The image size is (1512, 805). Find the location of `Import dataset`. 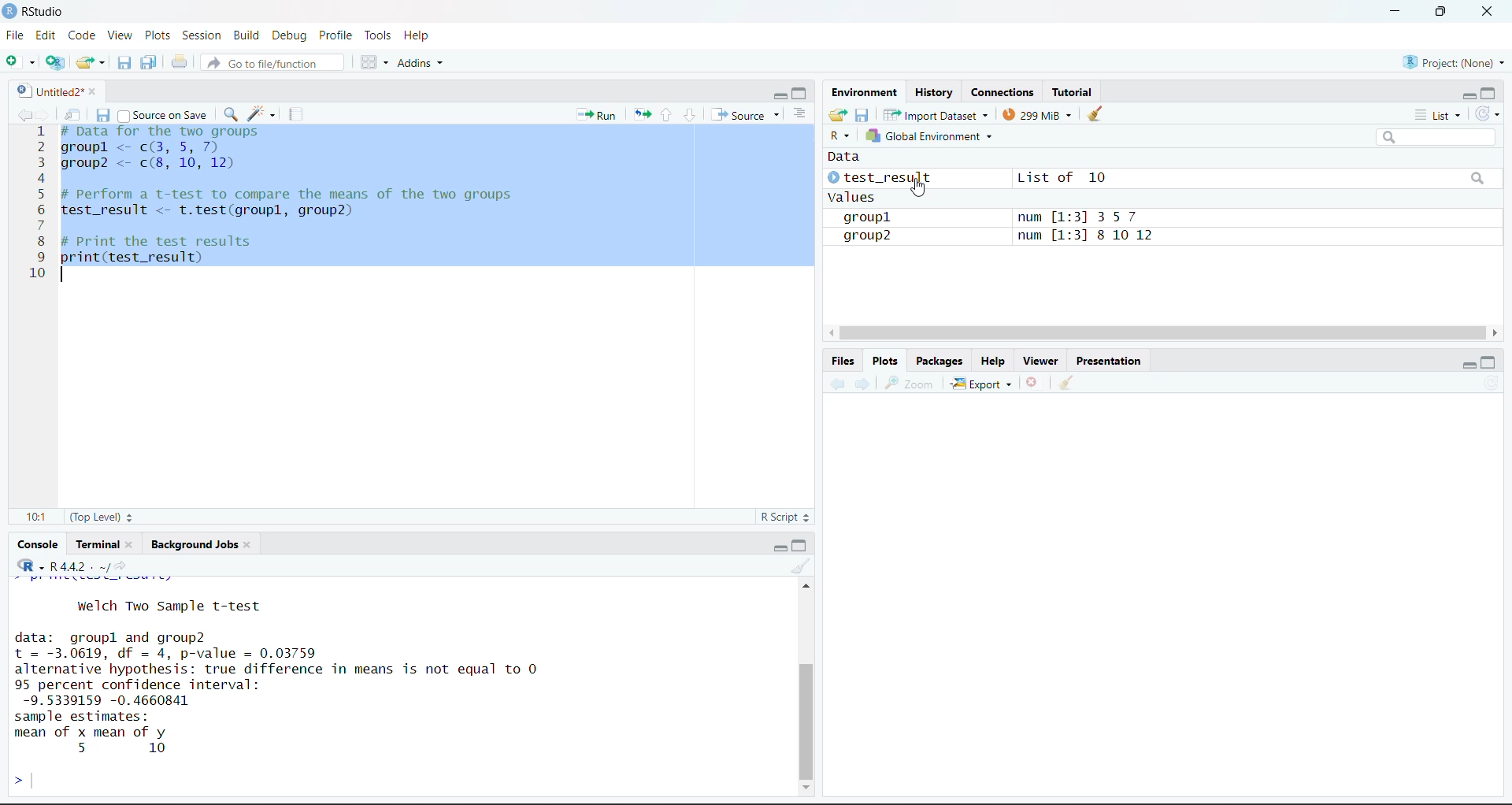

Import dataset is located at coordinates (937, 114).